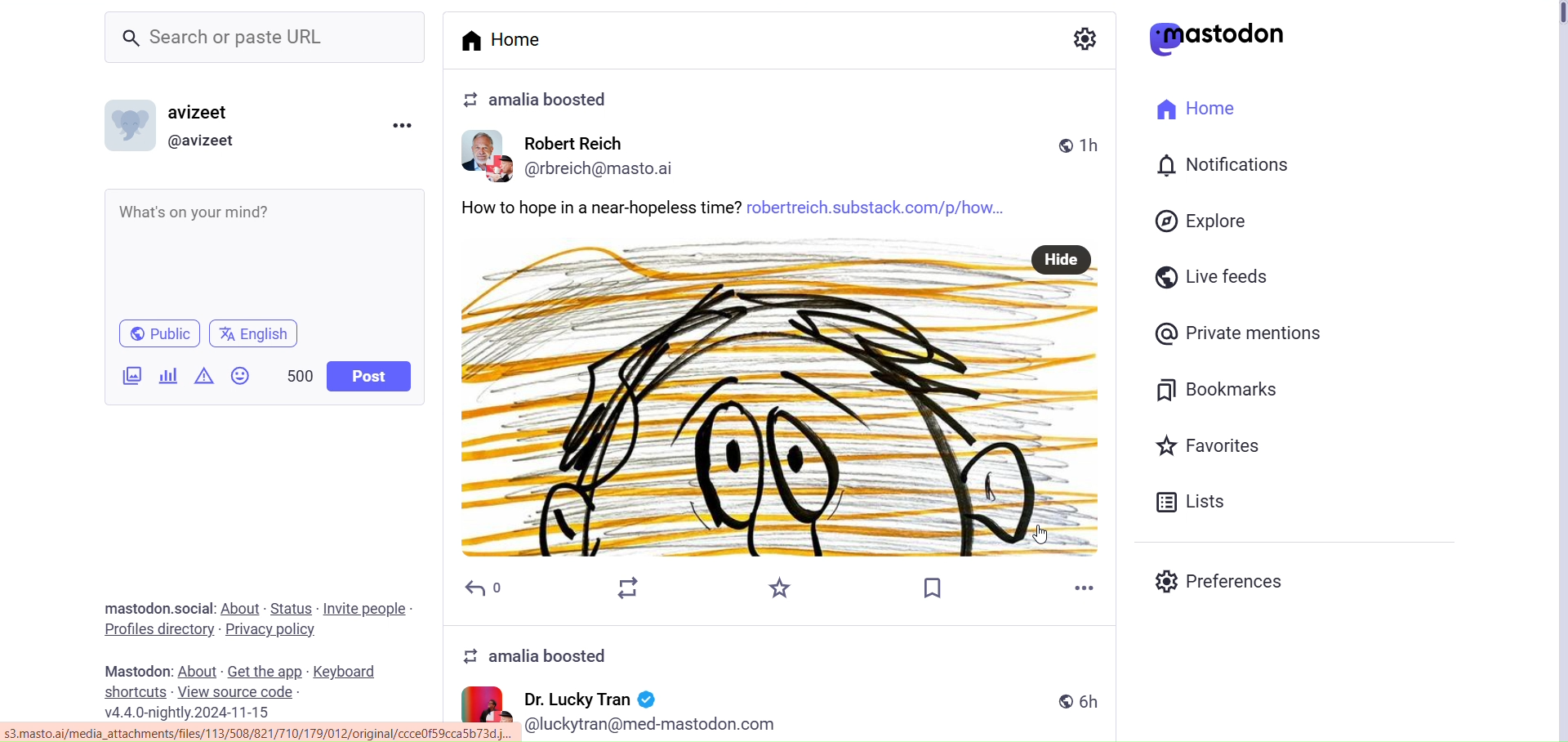 The width and height of the screenshot is (1568, 742). What do you see at coordinates (366, 607) in the screenshot?
I see `Invite People` at bounding box center [366, 607].